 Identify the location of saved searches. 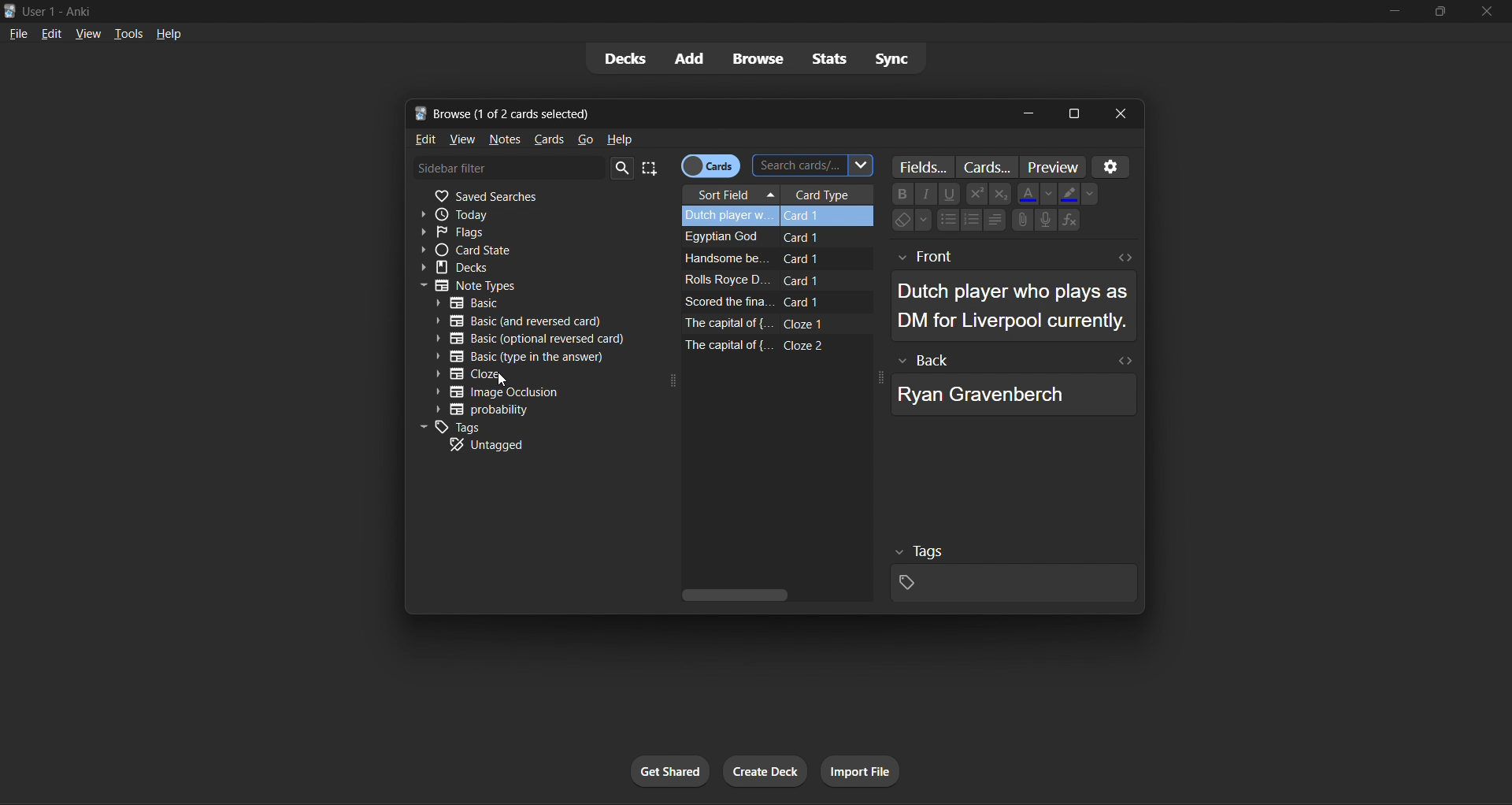
(539, 197).